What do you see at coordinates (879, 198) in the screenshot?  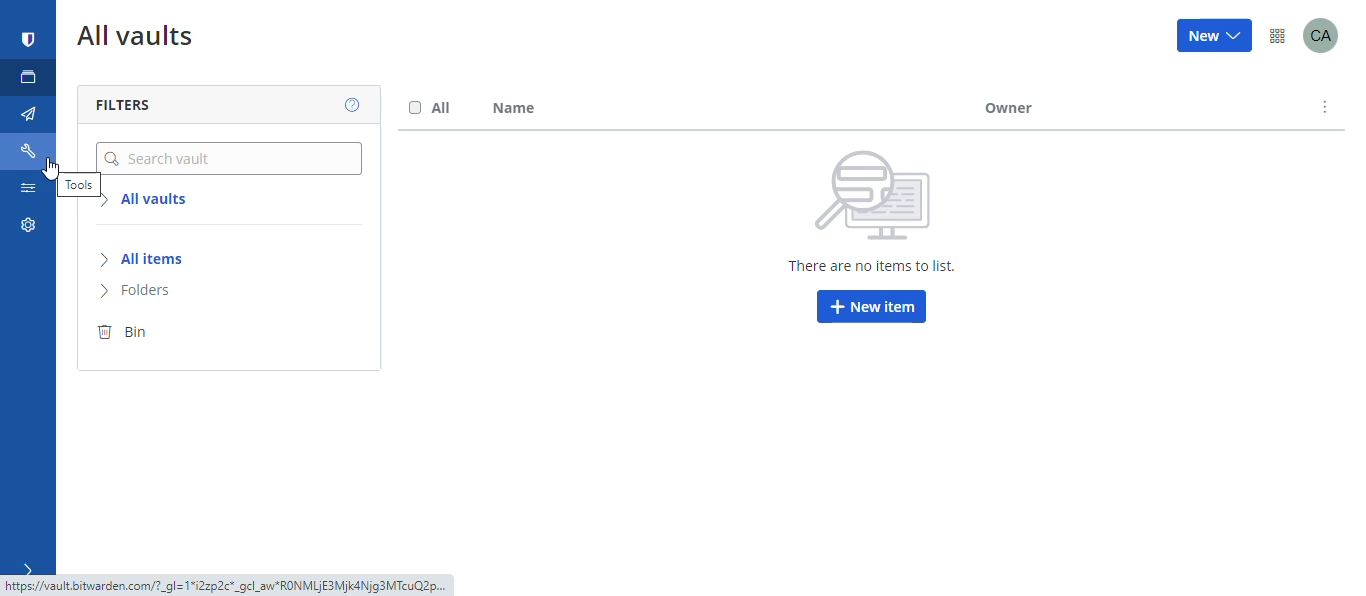 I see `searching for item logo` at bounding box center [879, 198].